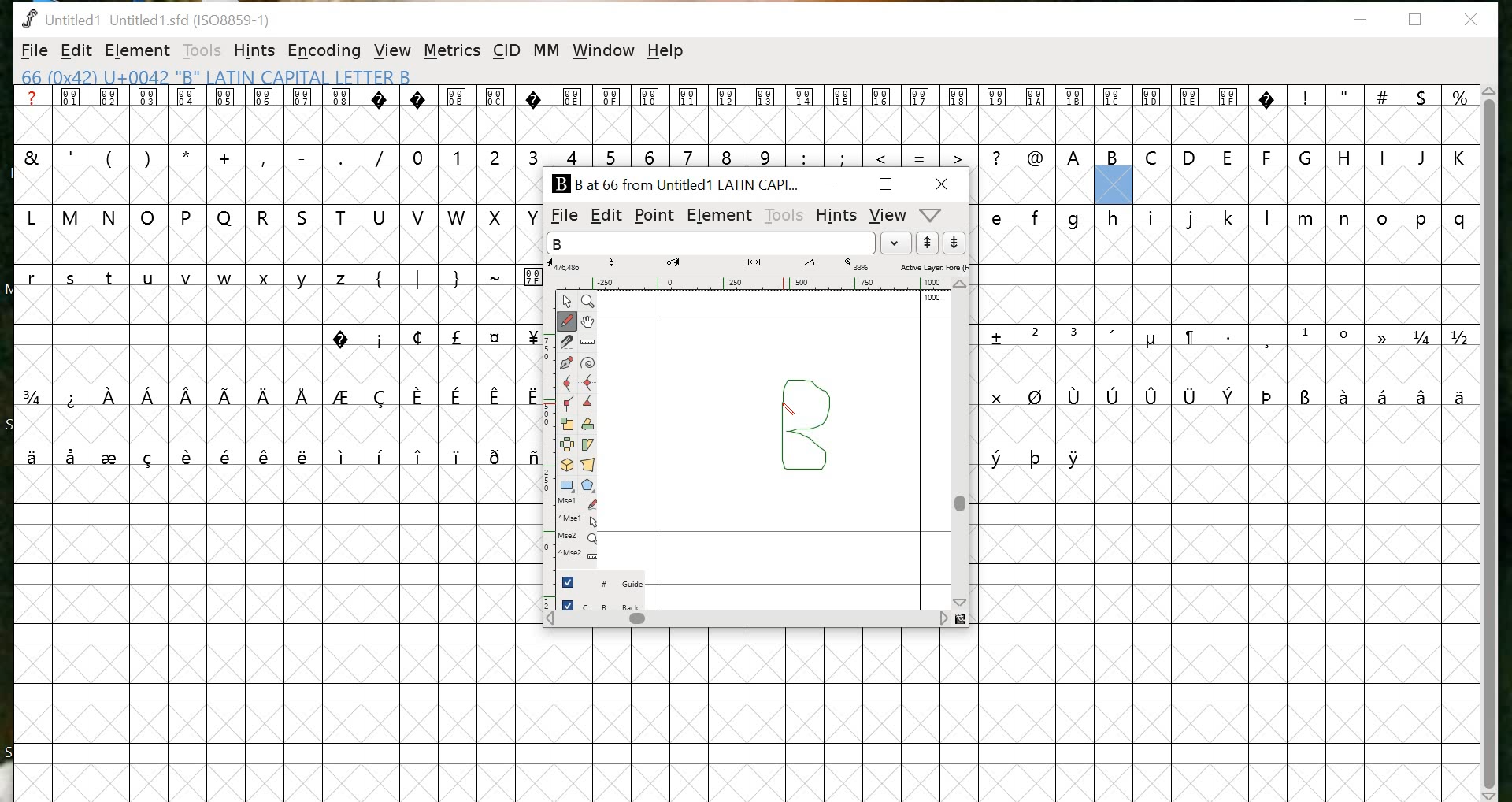 The height and width of the screenshot is (802, 1512). What do you see at coordinates (928, 243) in the screenshot?
I see `up` at bounding box center [928, 243].